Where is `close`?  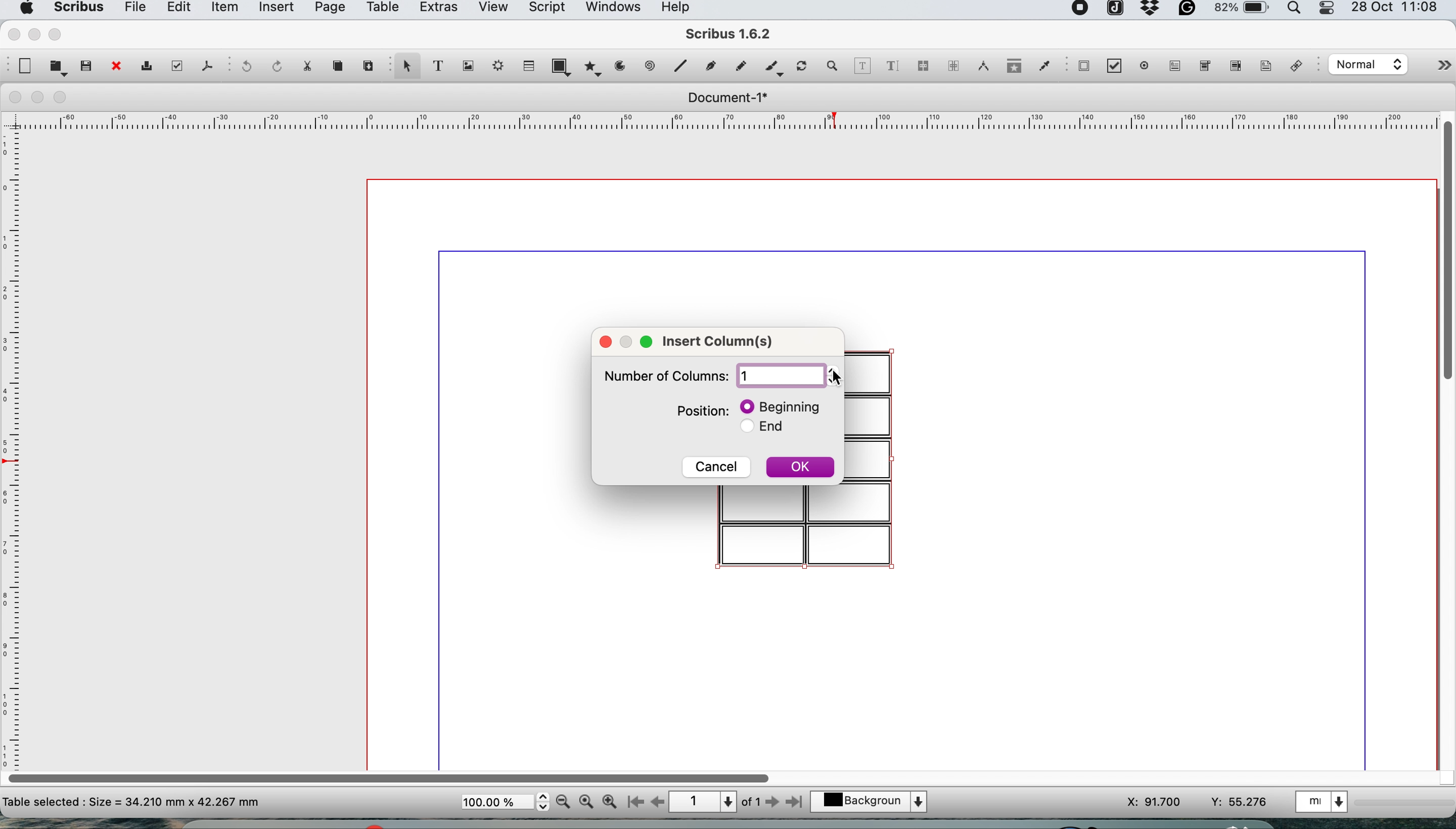
close is located at coordinates (12, 33).